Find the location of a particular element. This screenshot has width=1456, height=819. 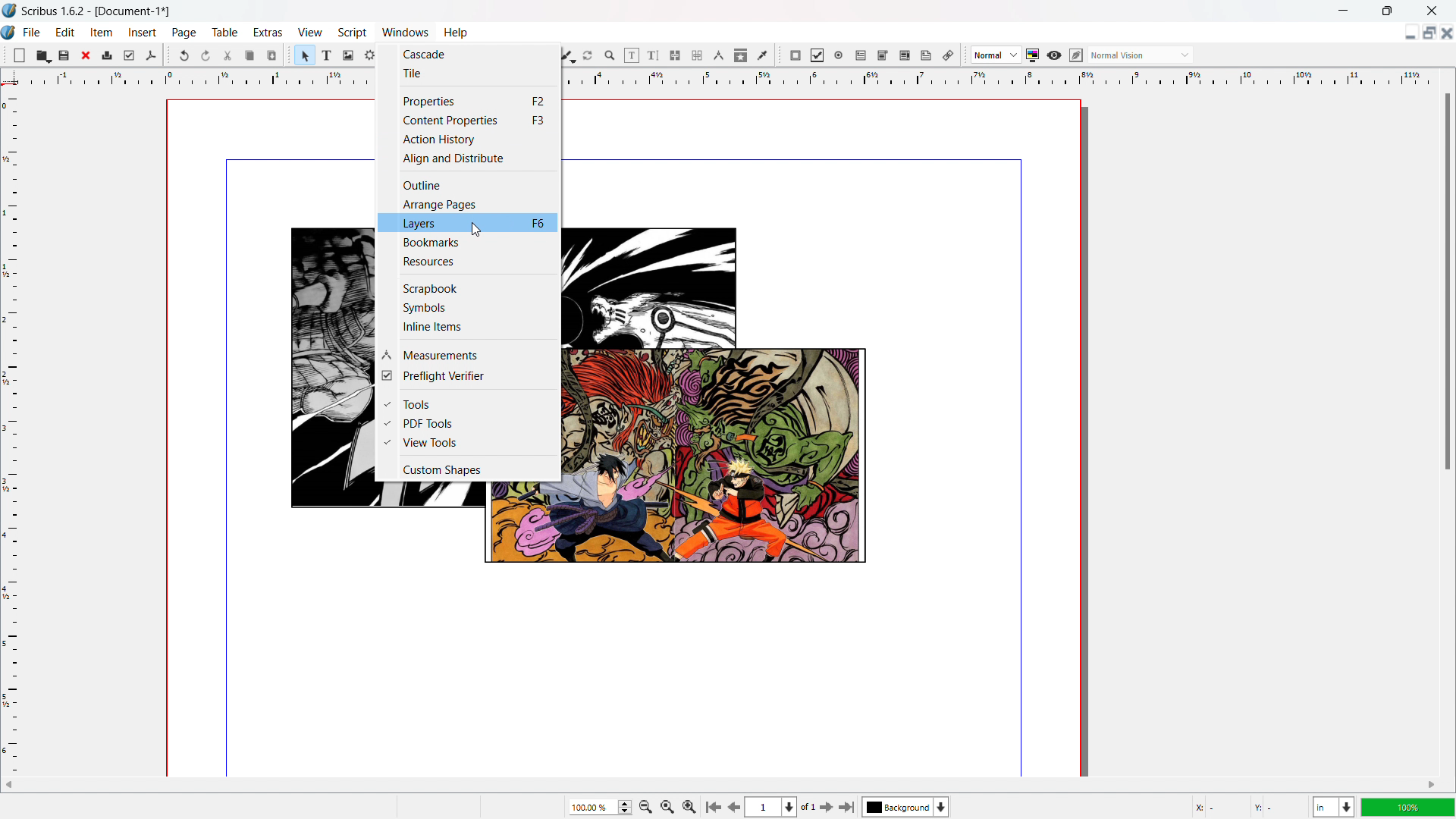

pdf tools is located at coordinates (467, 423).